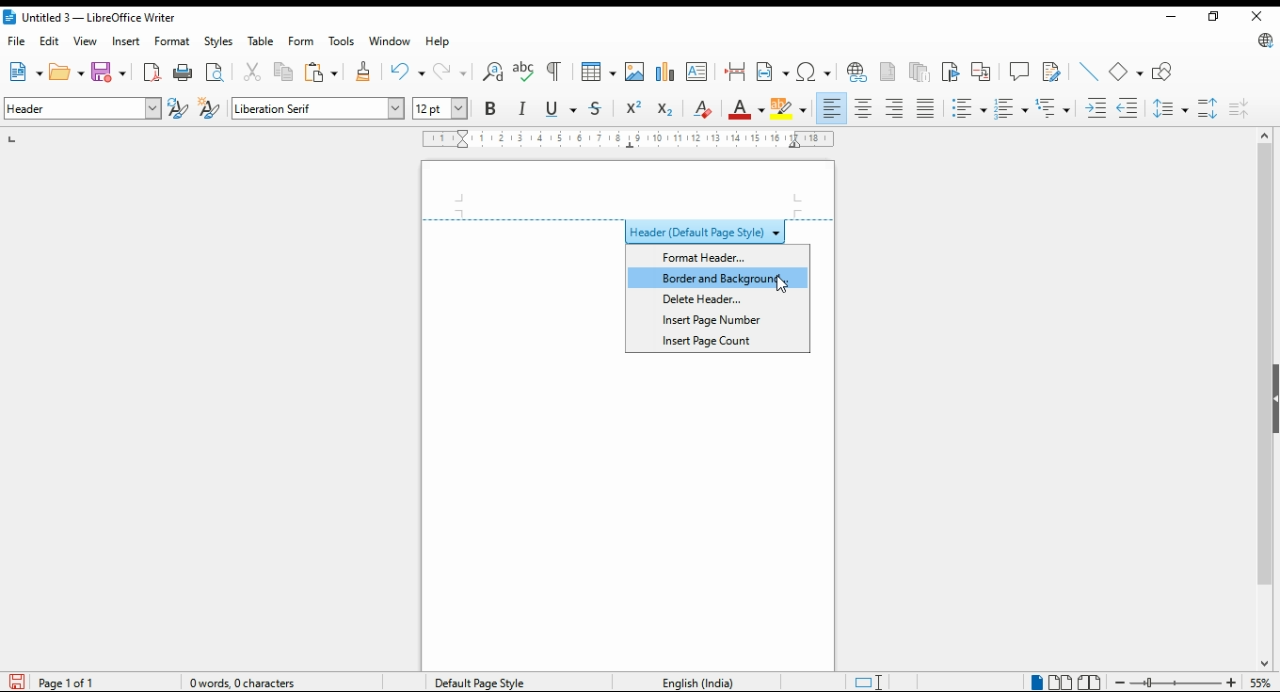 This screenshot has height=692, width=1280. Describe the element at coordinates (484, 682) in the screenshot. I see `page style` at that location.